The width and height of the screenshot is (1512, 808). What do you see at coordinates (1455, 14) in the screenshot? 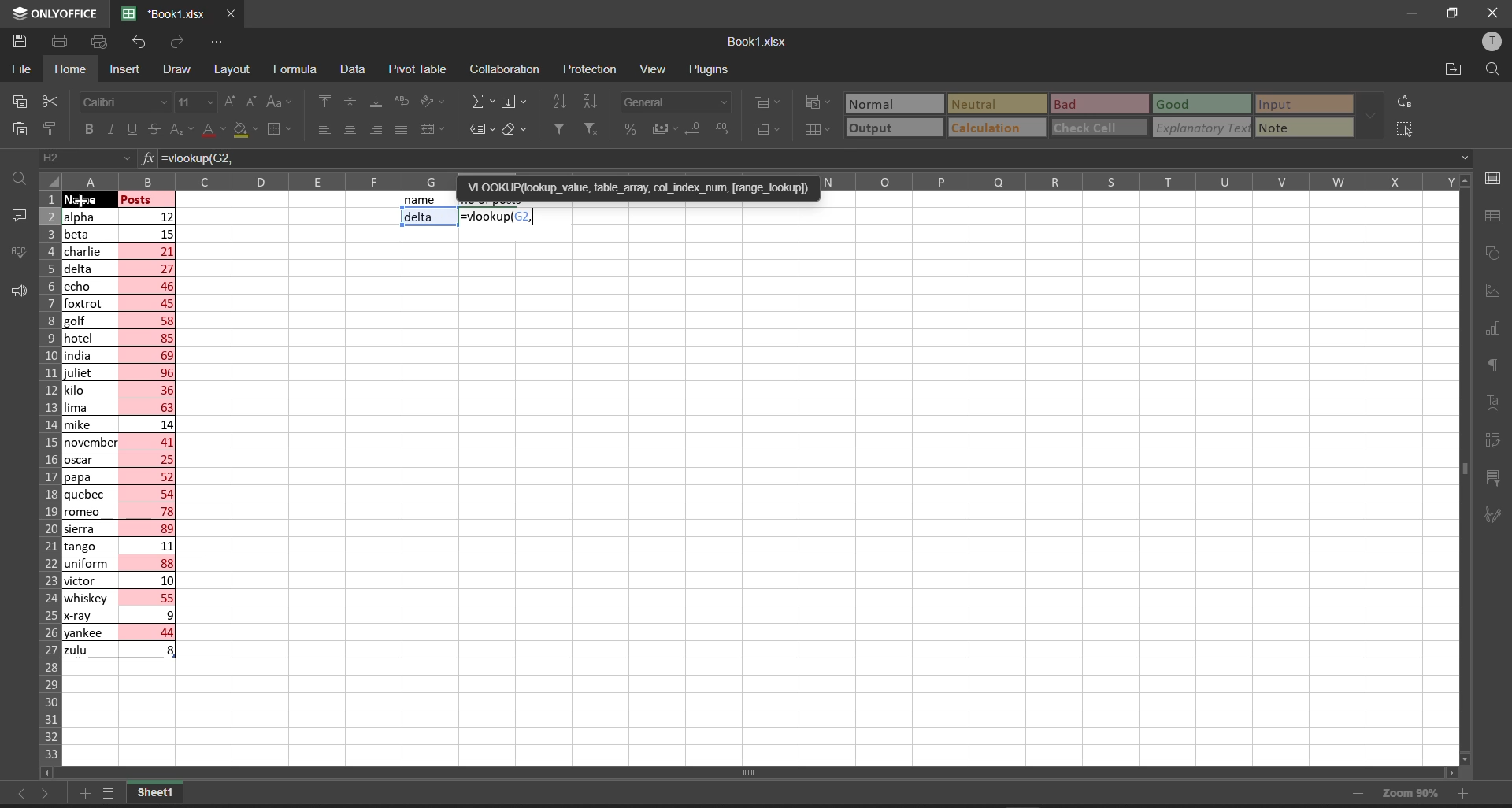
I see `maximize` at bounding box center [1455, 14].